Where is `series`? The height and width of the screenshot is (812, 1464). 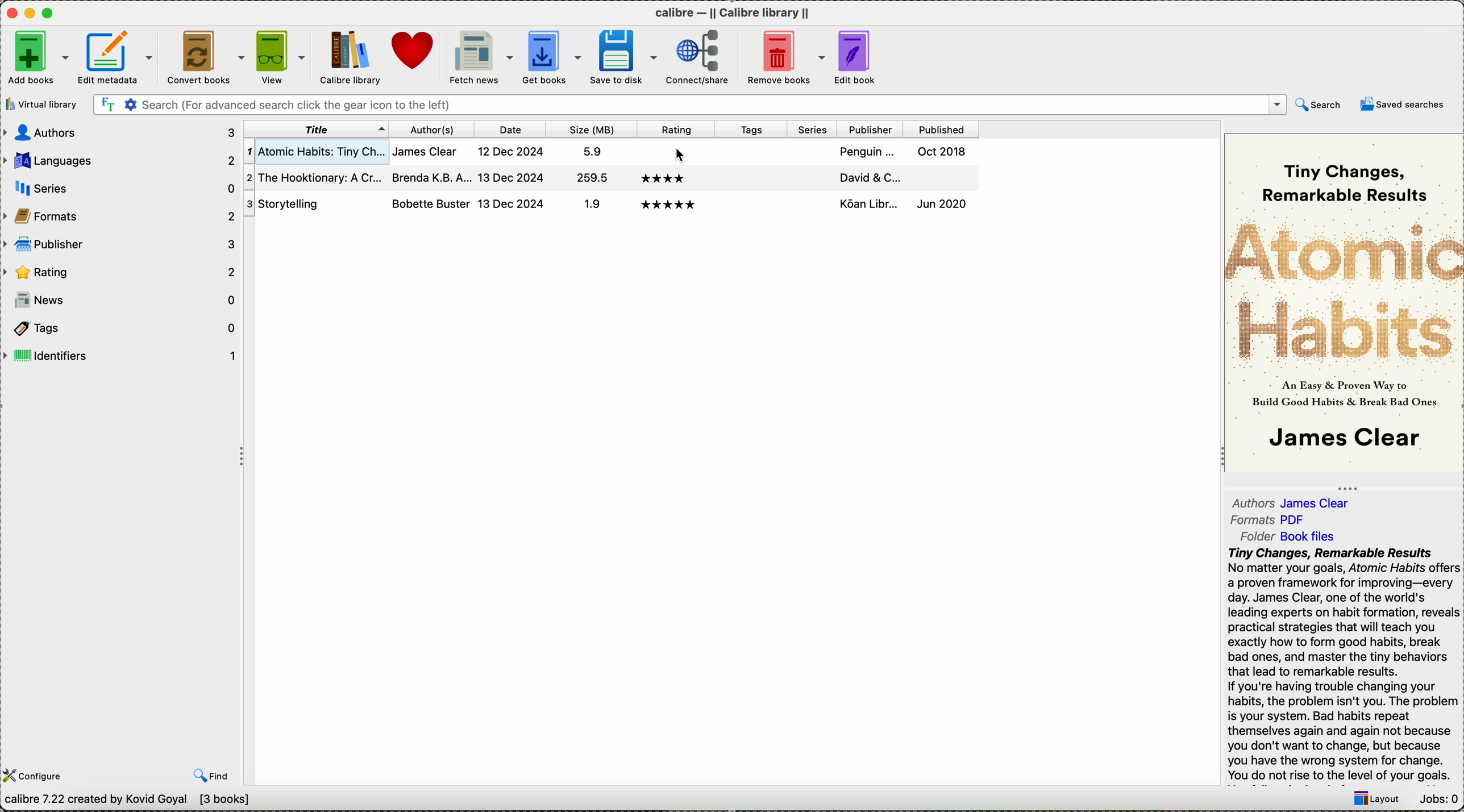 series is located at coordinates (123, 188).